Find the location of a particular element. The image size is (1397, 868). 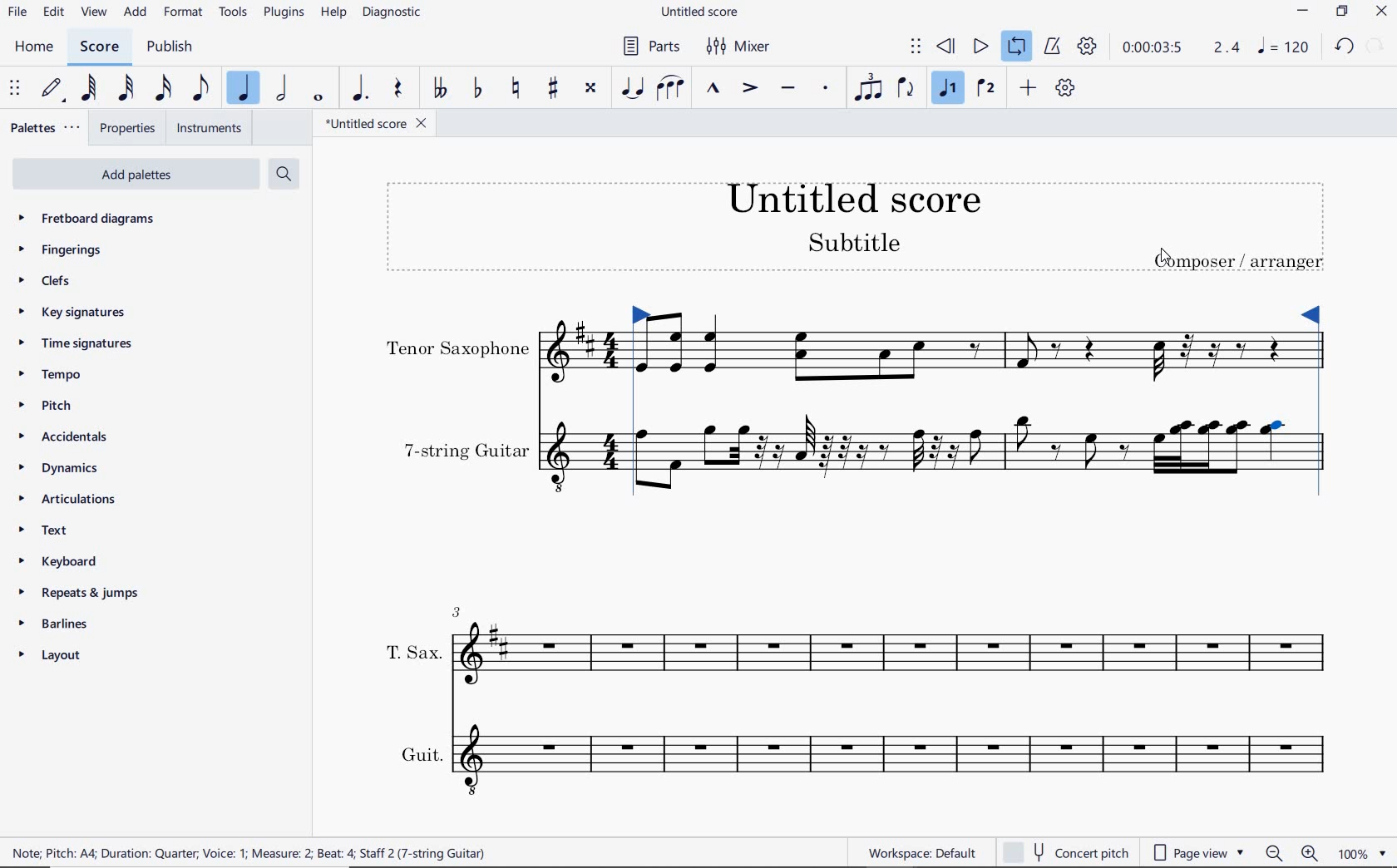

TOGGLE DOUBLE-SHARP is located at coordinates (590, 89).